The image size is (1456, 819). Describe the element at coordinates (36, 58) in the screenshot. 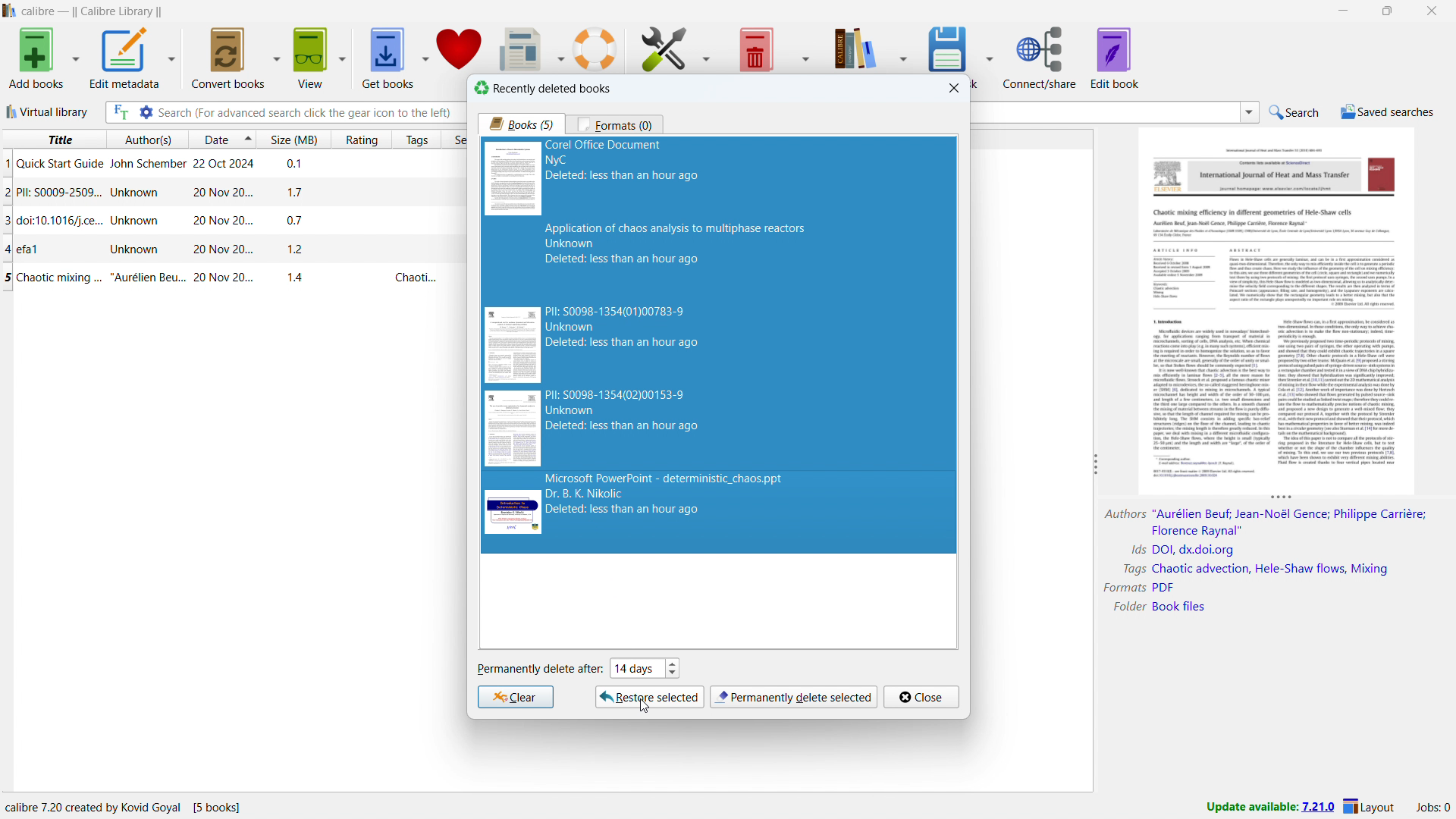

I see `add books ` at that location.